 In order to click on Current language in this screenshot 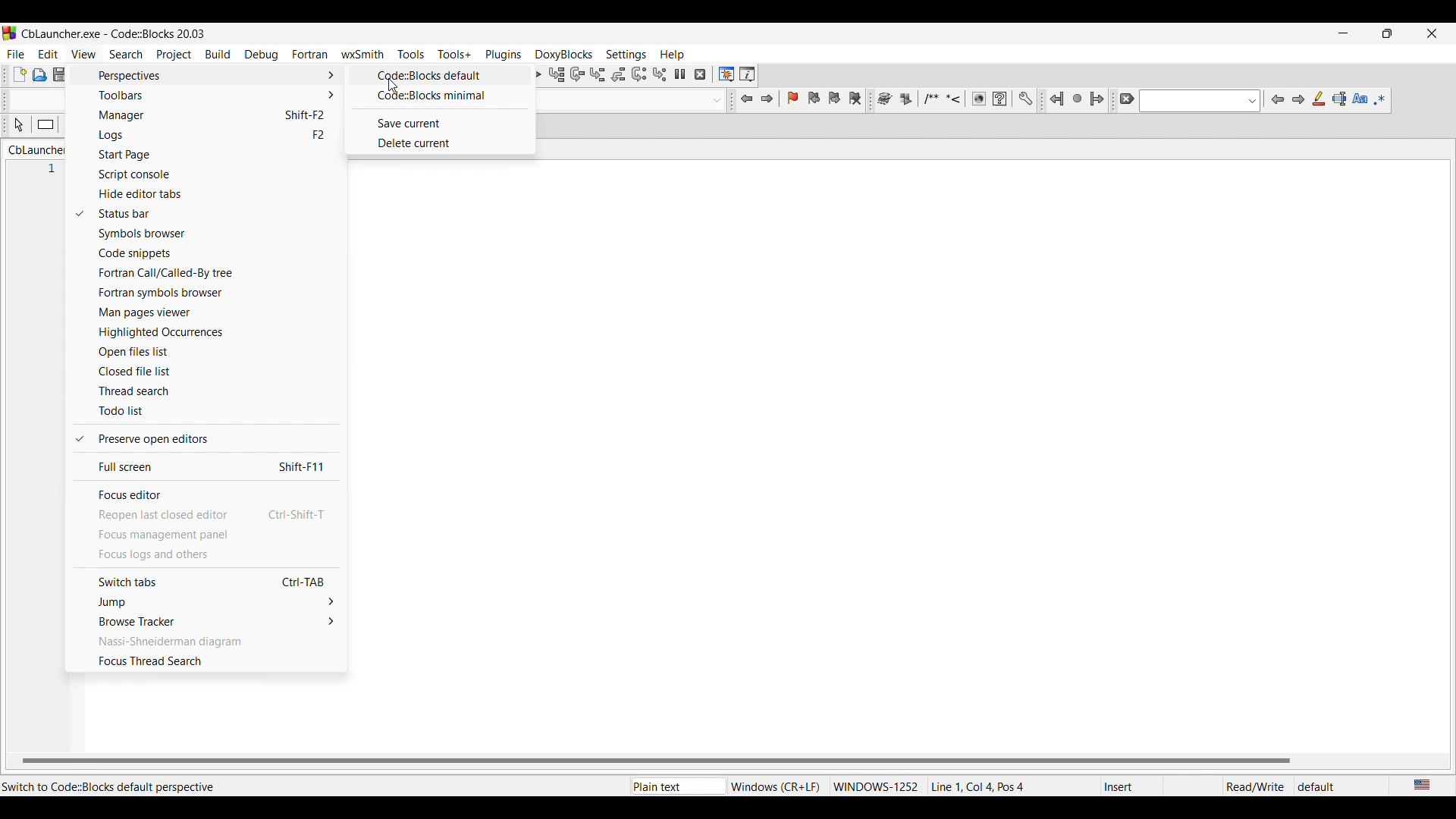, I will do `click(1423, 786)`.